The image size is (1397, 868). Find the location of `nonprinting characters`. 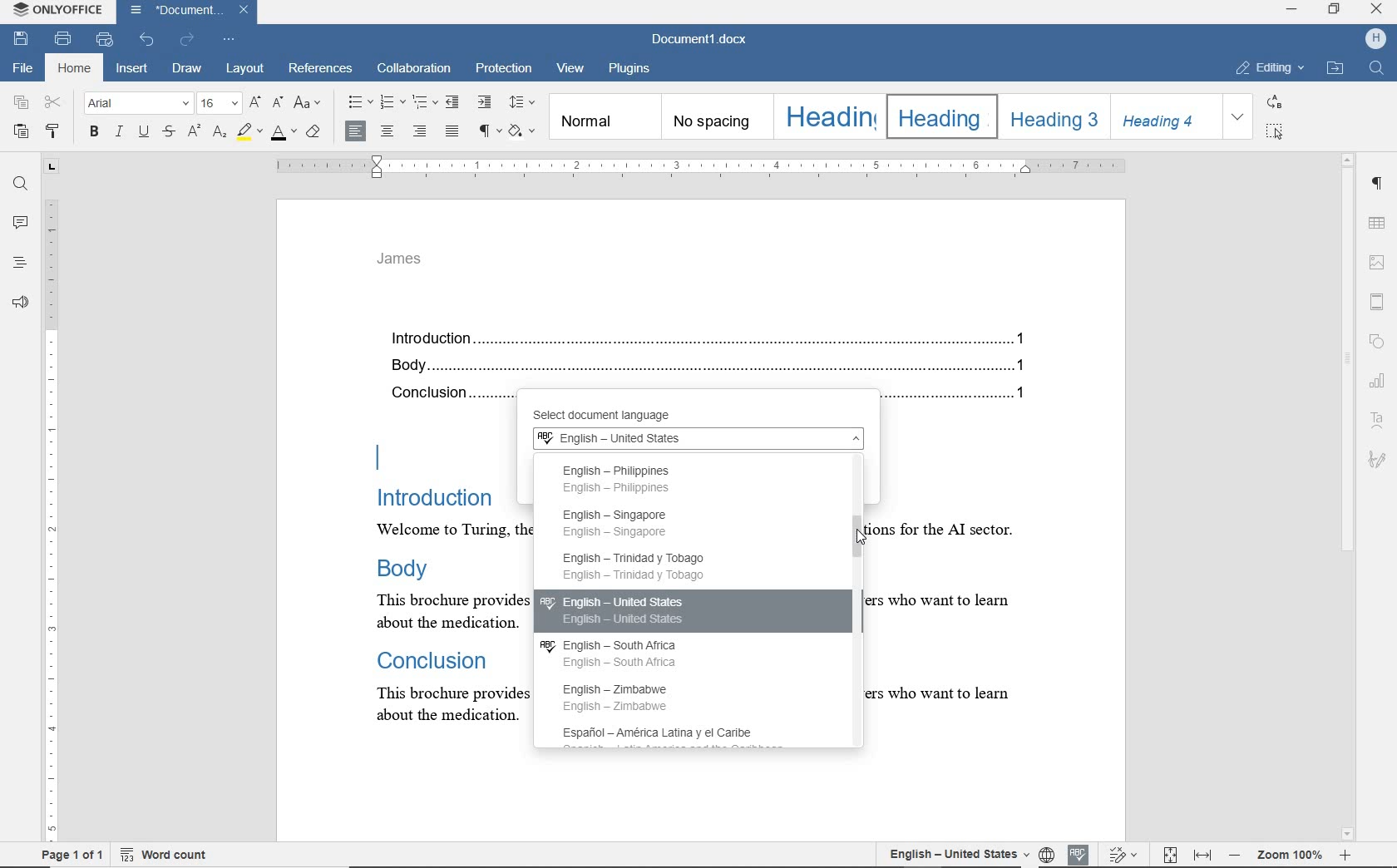

nonprinting characters is located at coordinates (488, 130).